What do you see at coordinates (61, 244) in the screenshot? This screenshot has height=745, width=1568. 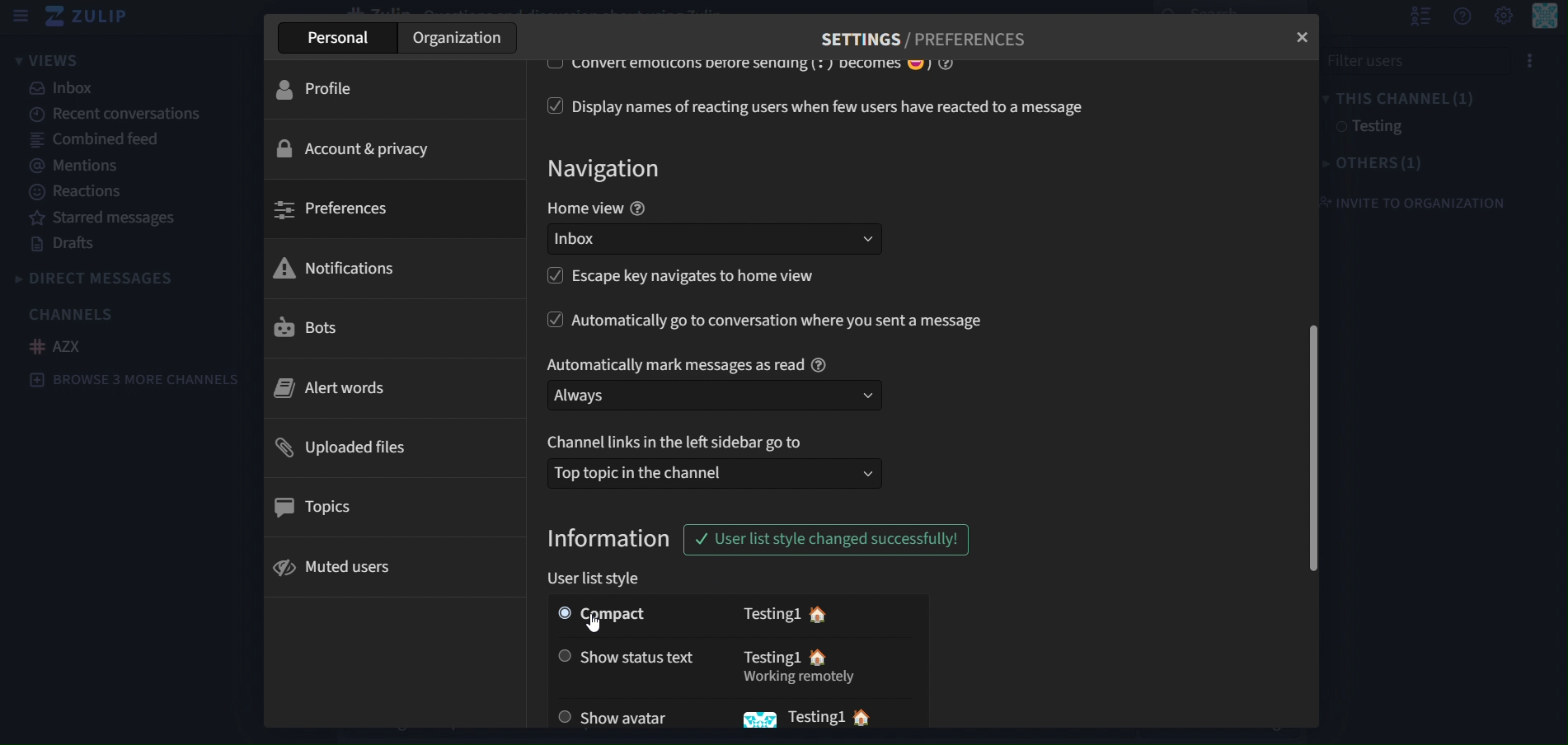 I see `drafts` at bounding box center [61, 244].